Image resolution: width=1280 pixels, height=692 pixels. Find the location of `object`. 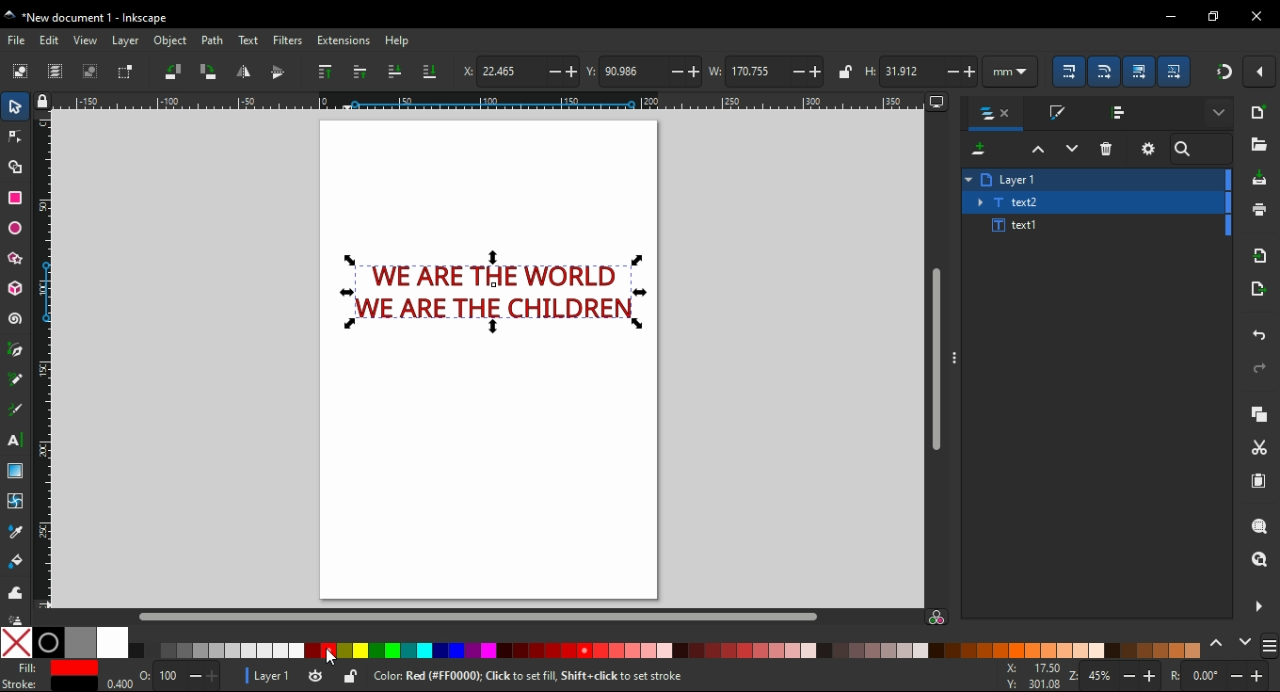

object is located at coordinates (170, 42).